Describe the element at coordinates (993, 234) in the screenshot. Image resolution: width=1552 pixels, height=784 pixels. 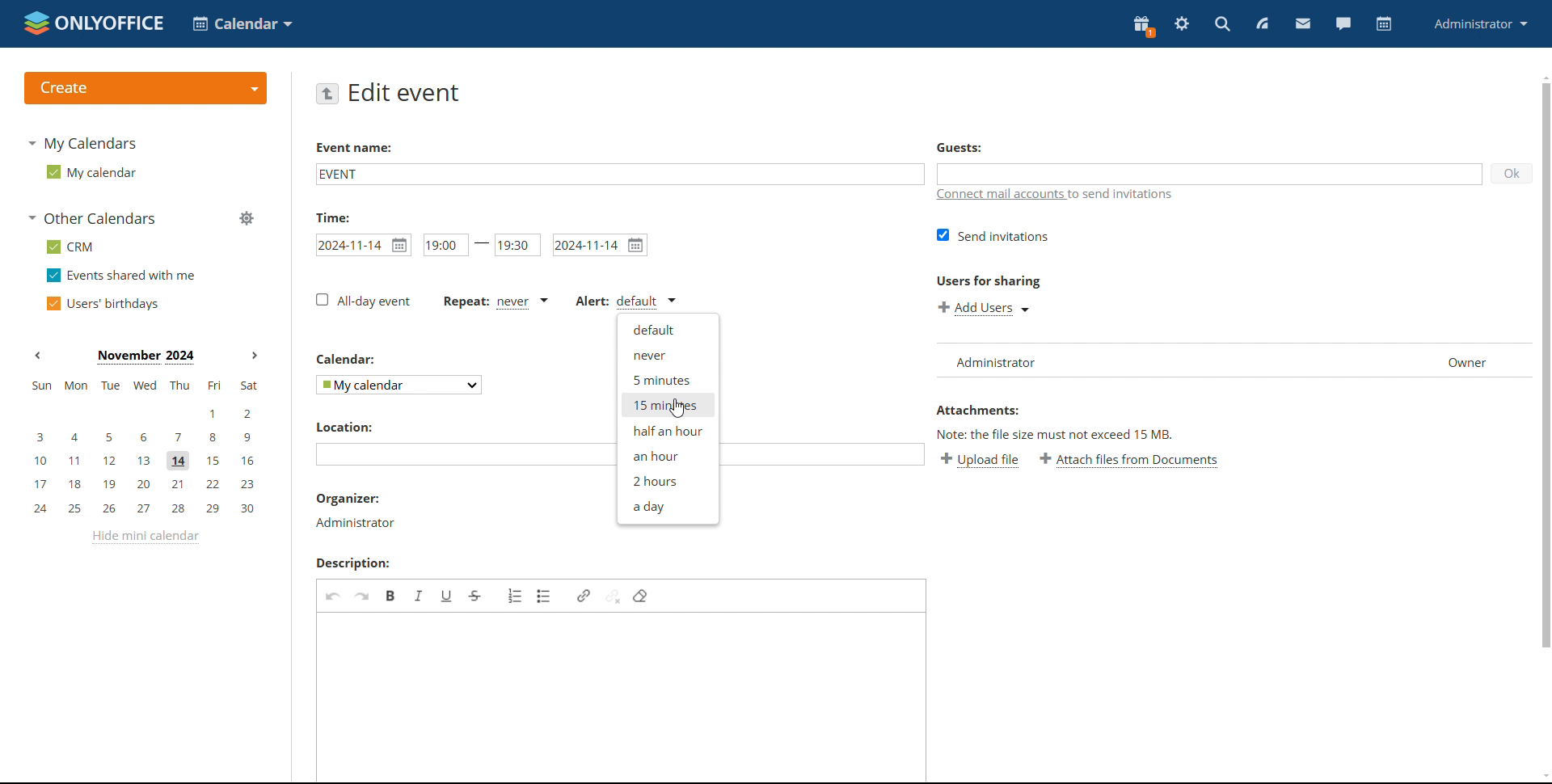
I see `send invitations` at that location.